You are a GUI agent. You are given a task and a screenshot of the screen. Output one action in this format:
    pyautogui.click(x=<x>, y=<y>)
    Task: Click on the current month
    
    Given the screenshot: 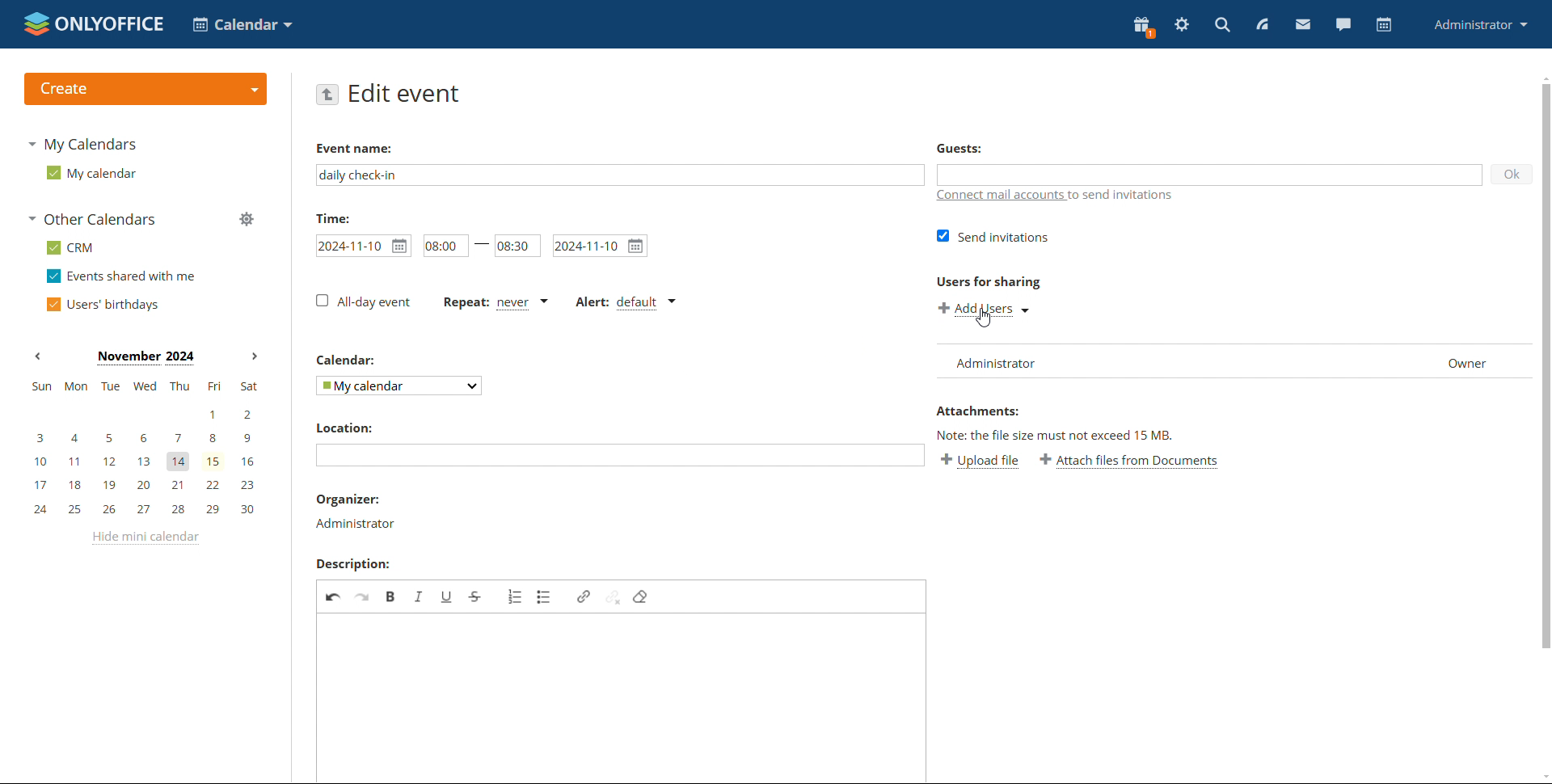 What is the action you would take?
    pyautogui.click(x=145, y=358)
    